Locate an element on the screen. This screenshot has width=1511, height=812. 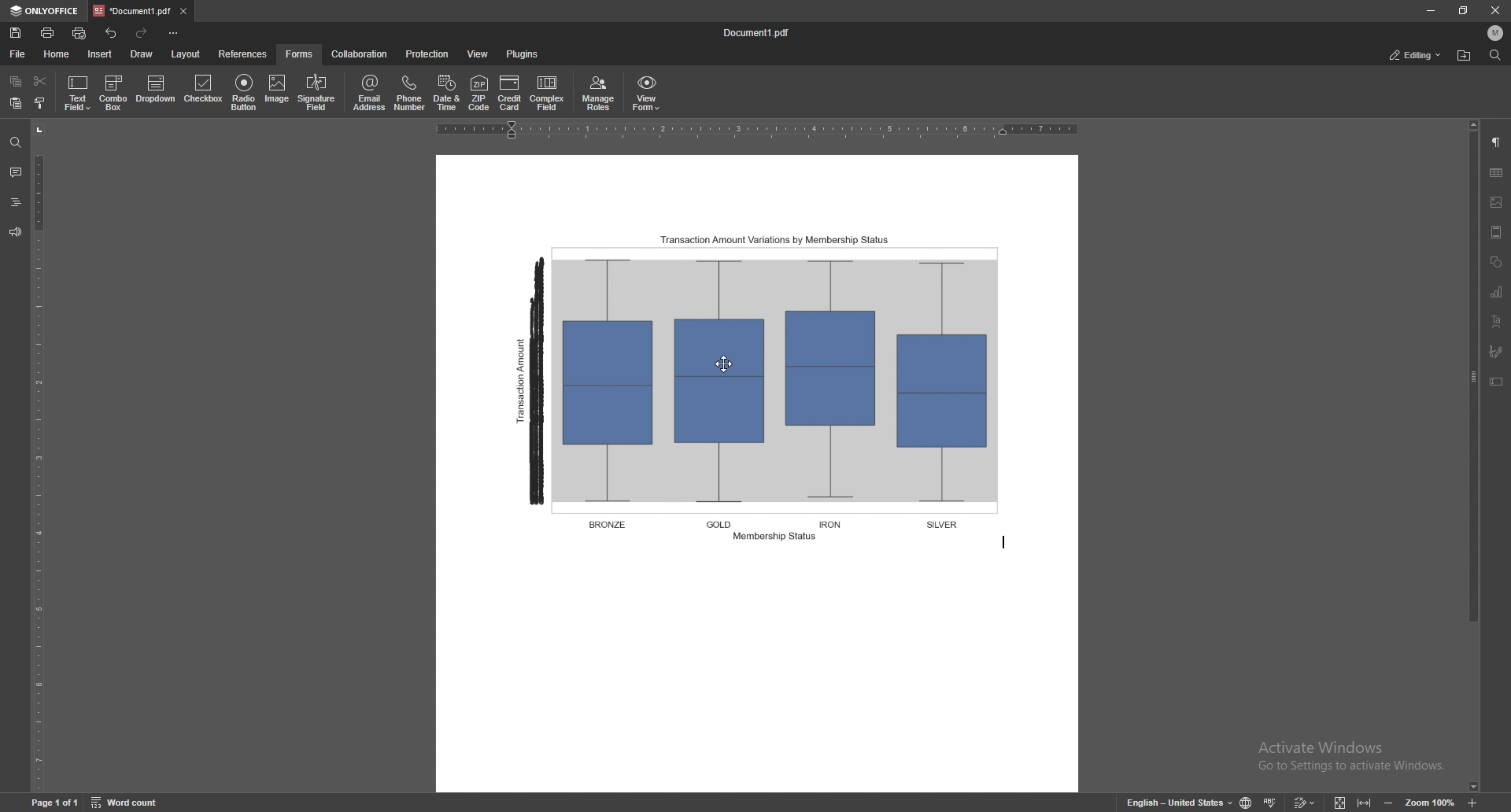
dropdown is located at coordinates (158, 90).